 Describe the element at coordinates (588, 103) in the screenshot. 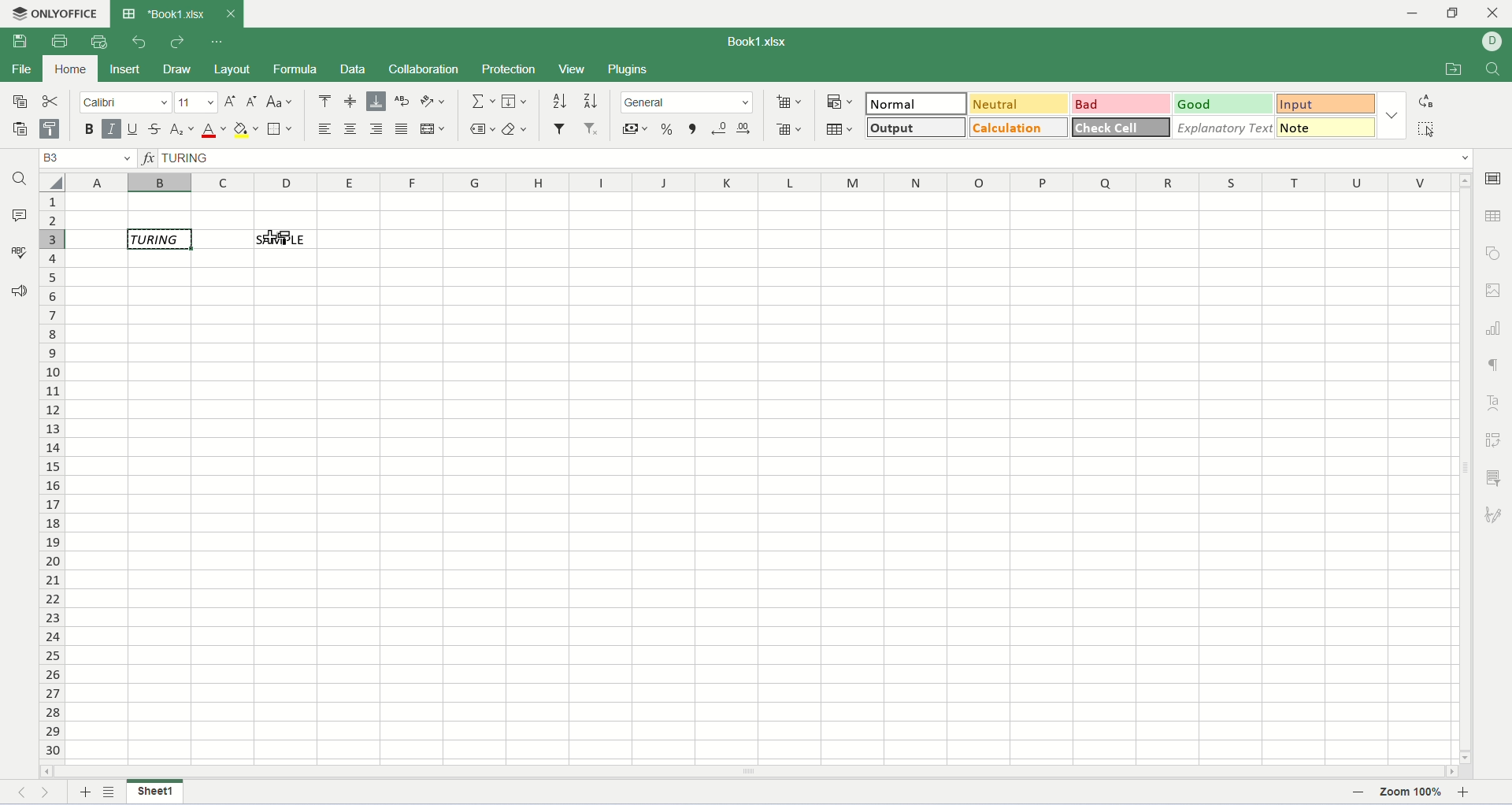

I see `sort descending` at that location.